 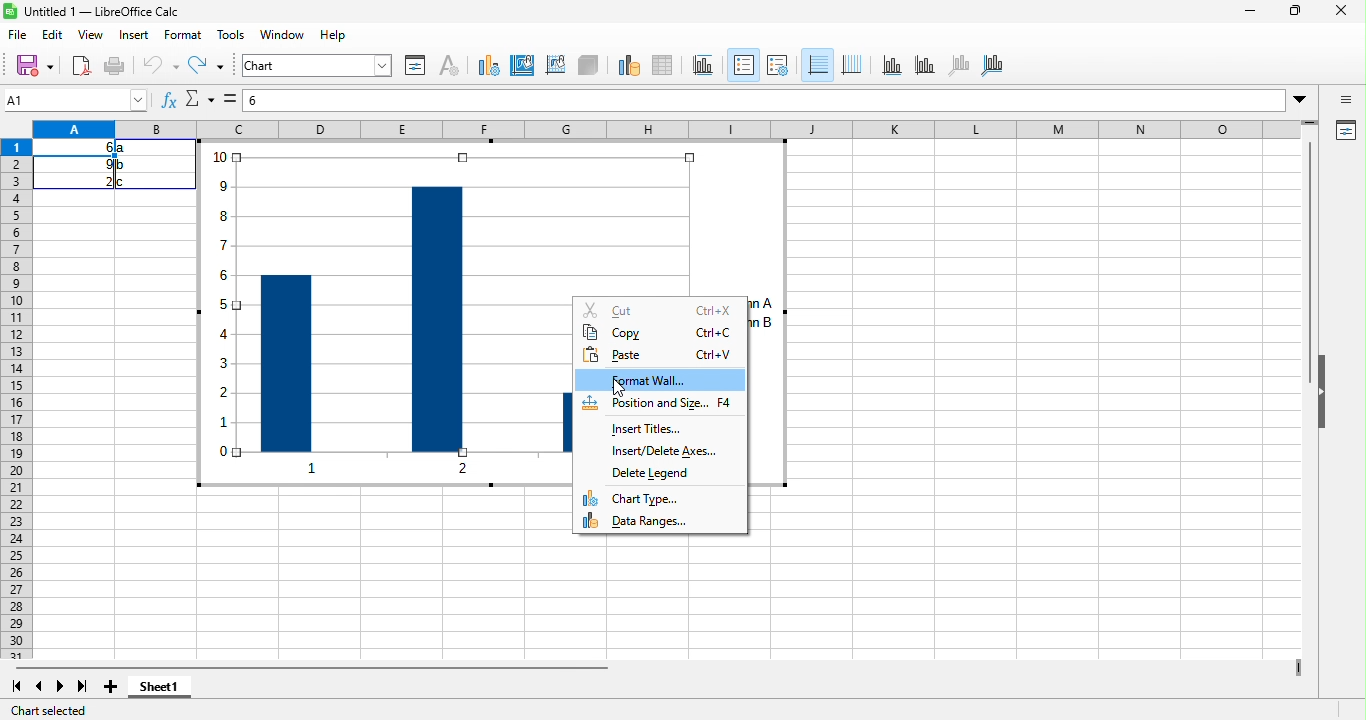 What do you see at coordinates (958, 65) in the screenshot?
I see `Z axis` at bounding box center [958, 65].